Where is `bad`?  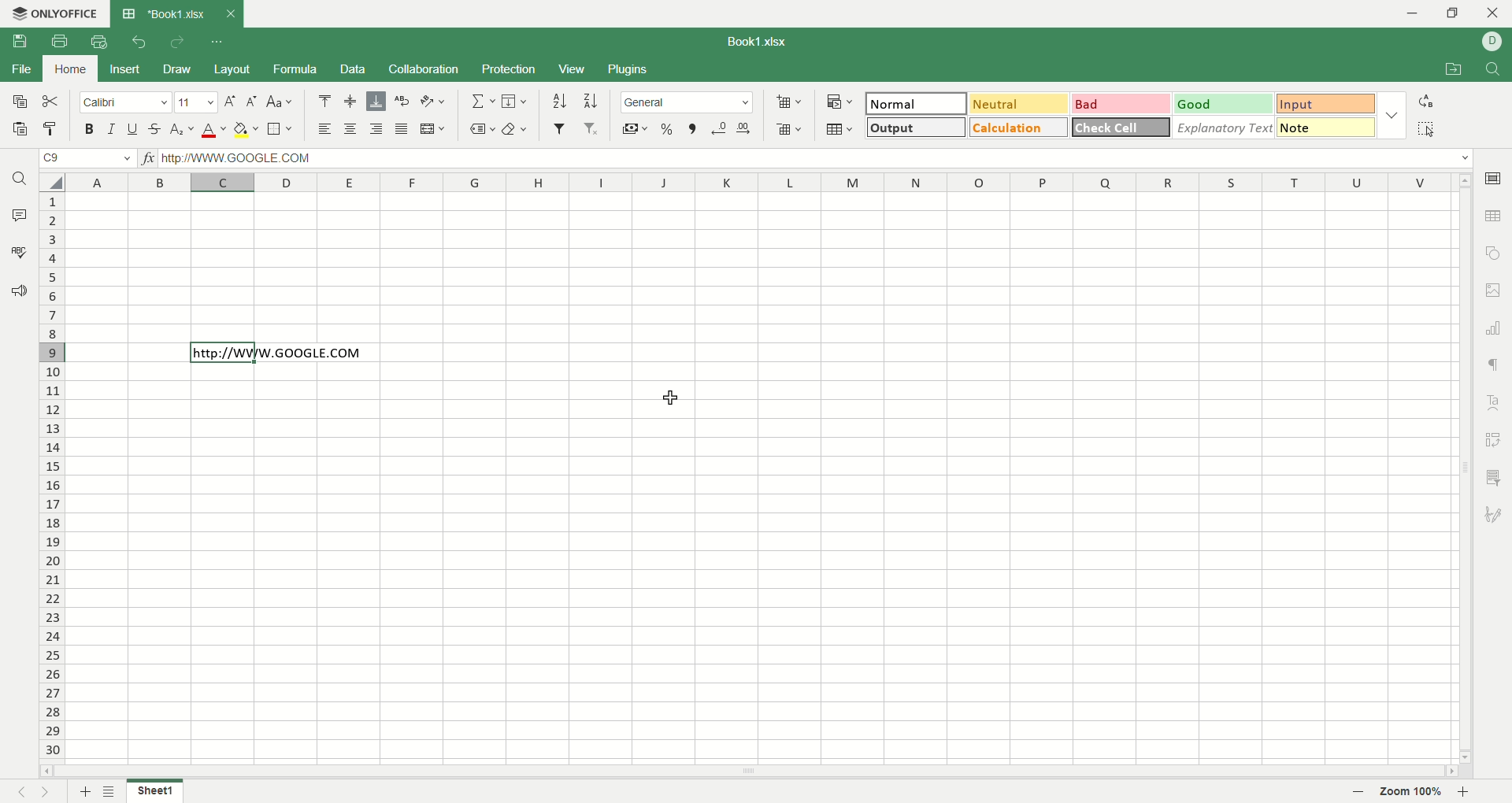 bad is located at coordinates (1121, 102).